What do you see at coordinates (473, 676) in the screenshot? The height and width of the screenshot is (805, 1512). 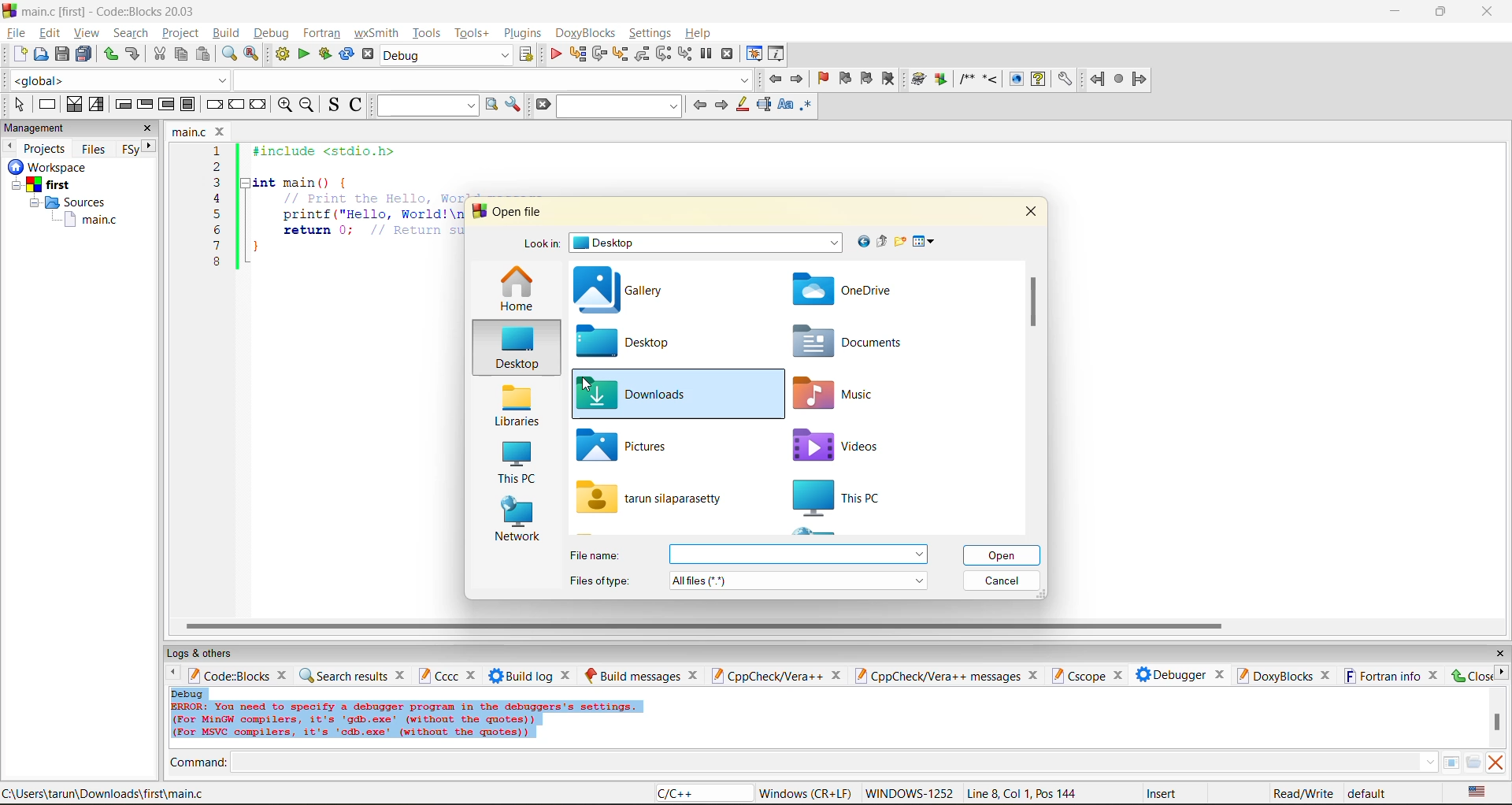 I see `close` at bounding box center [473, 676].